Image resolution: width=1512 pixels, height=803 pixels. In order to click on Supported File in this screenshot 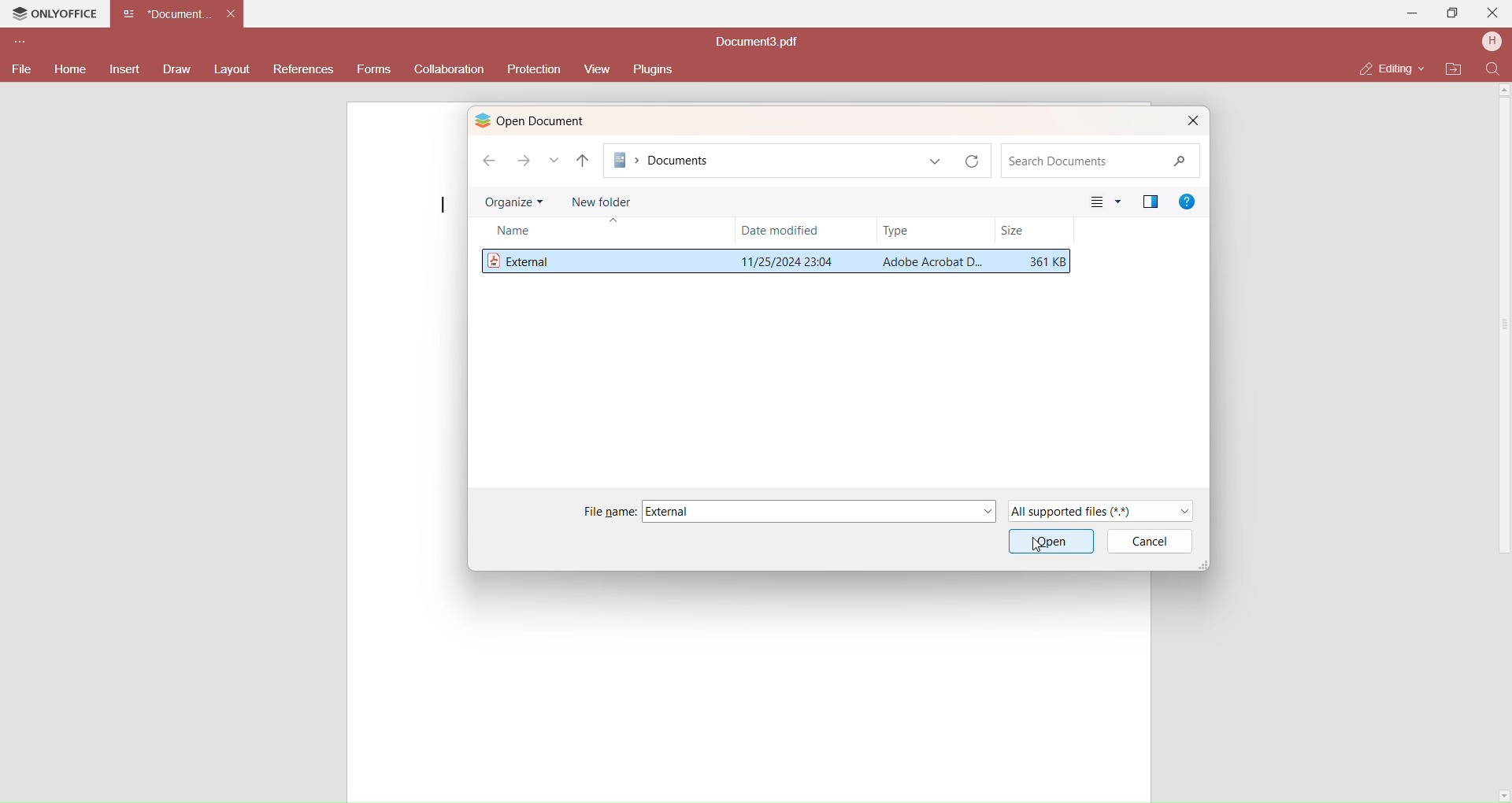, I will do `click(1105, 510)`.